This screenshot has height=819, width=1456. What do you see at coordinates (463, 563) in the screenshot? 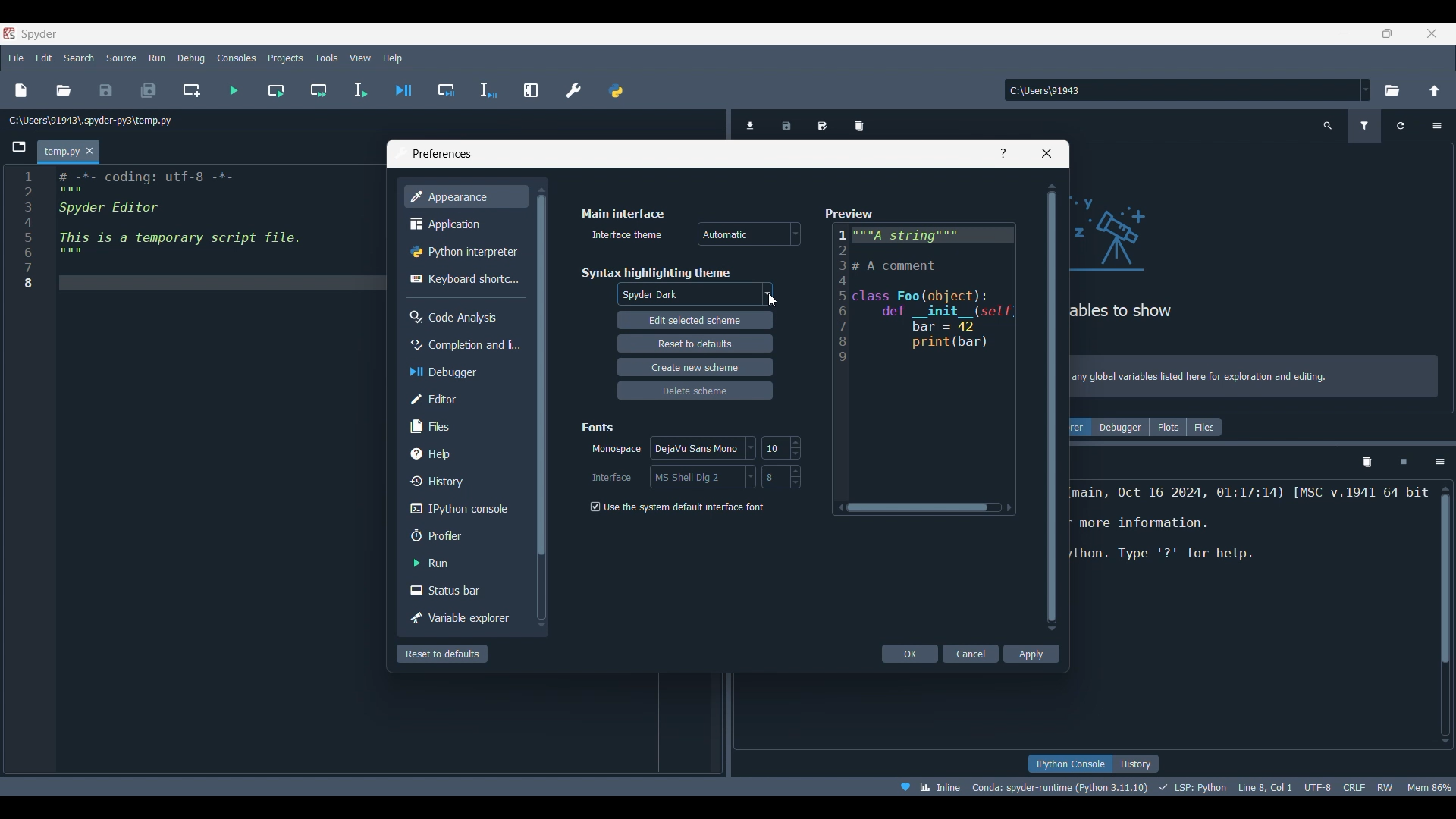
I see `Run` at bounding box center [463, 563].